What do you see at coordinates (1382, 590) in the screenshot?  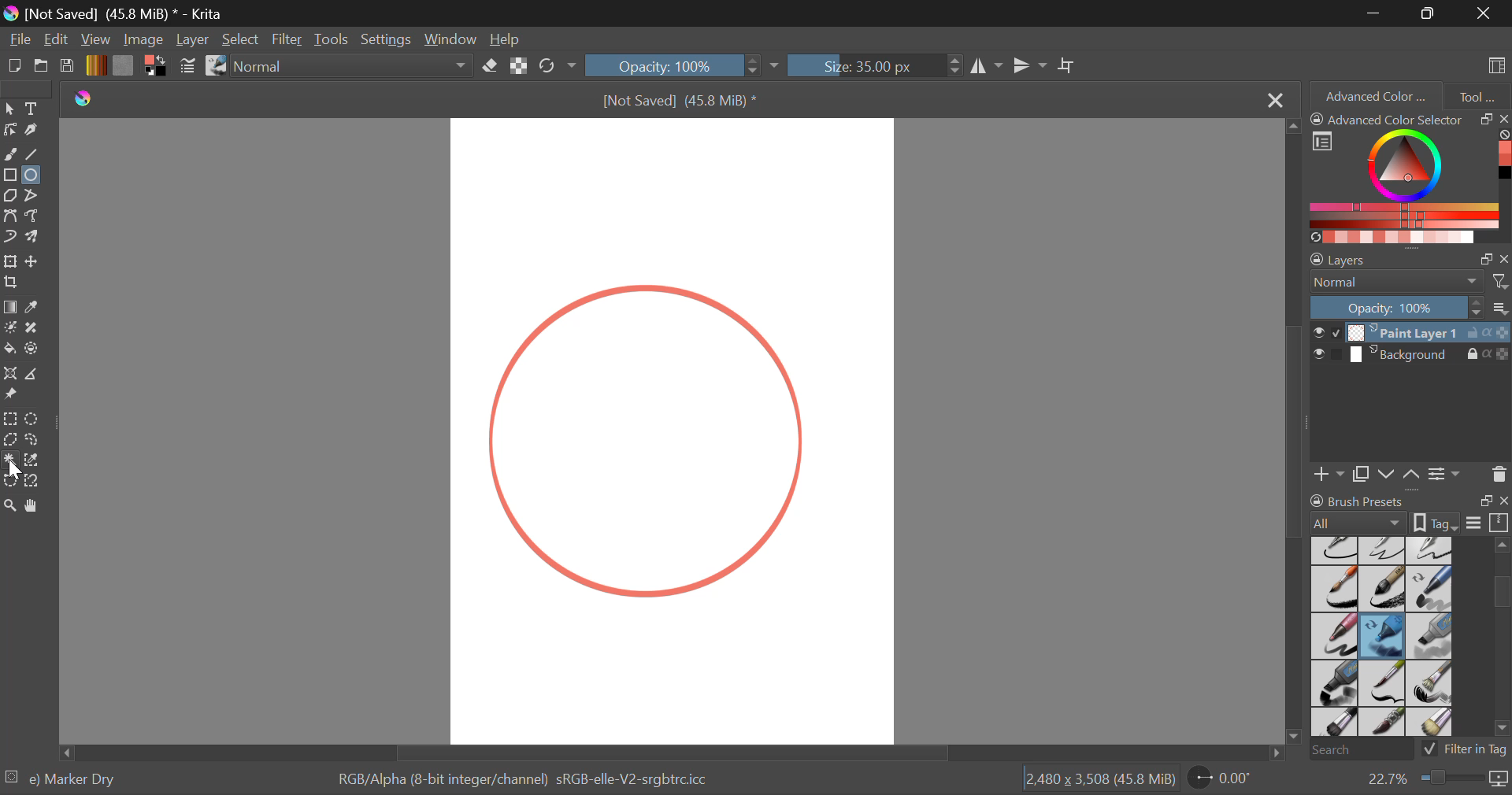 I see `Ink-8 Sumi-e` at bounding box center [1382, 590].